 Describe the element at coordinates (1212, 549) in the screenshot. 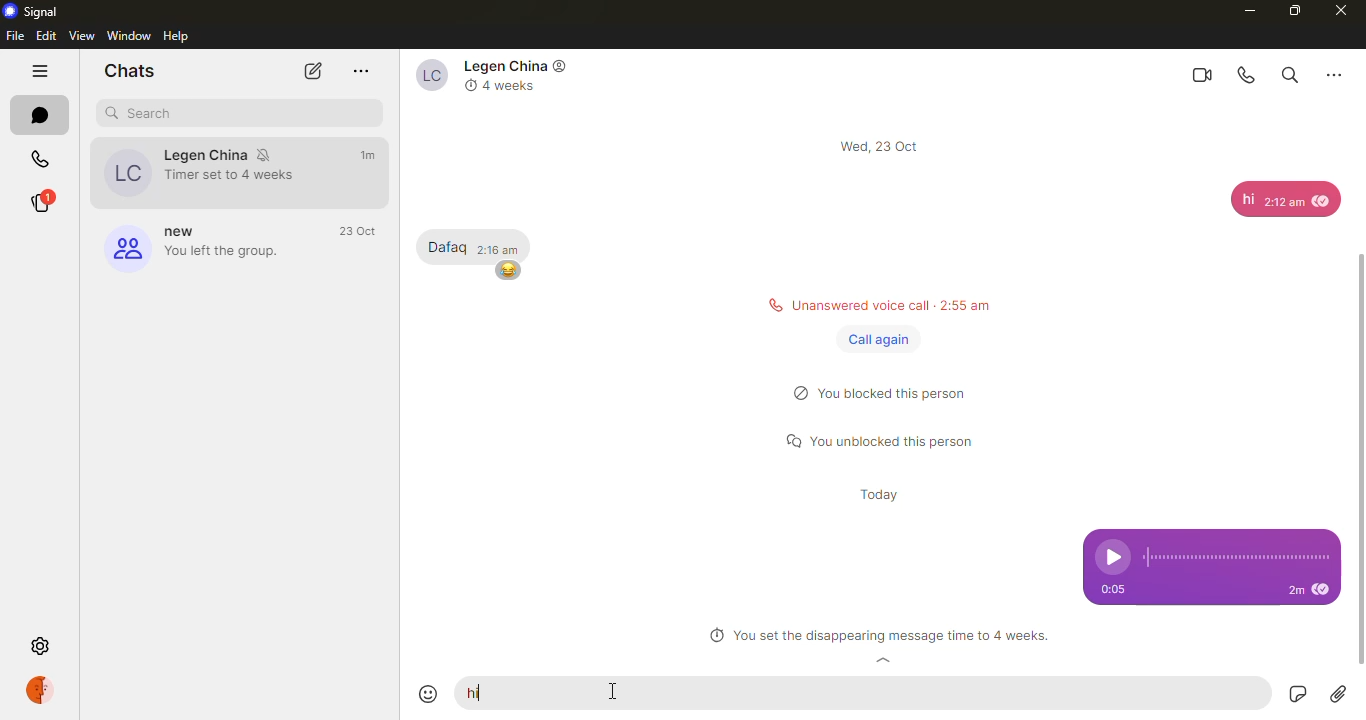

I see `voice message` at that location.